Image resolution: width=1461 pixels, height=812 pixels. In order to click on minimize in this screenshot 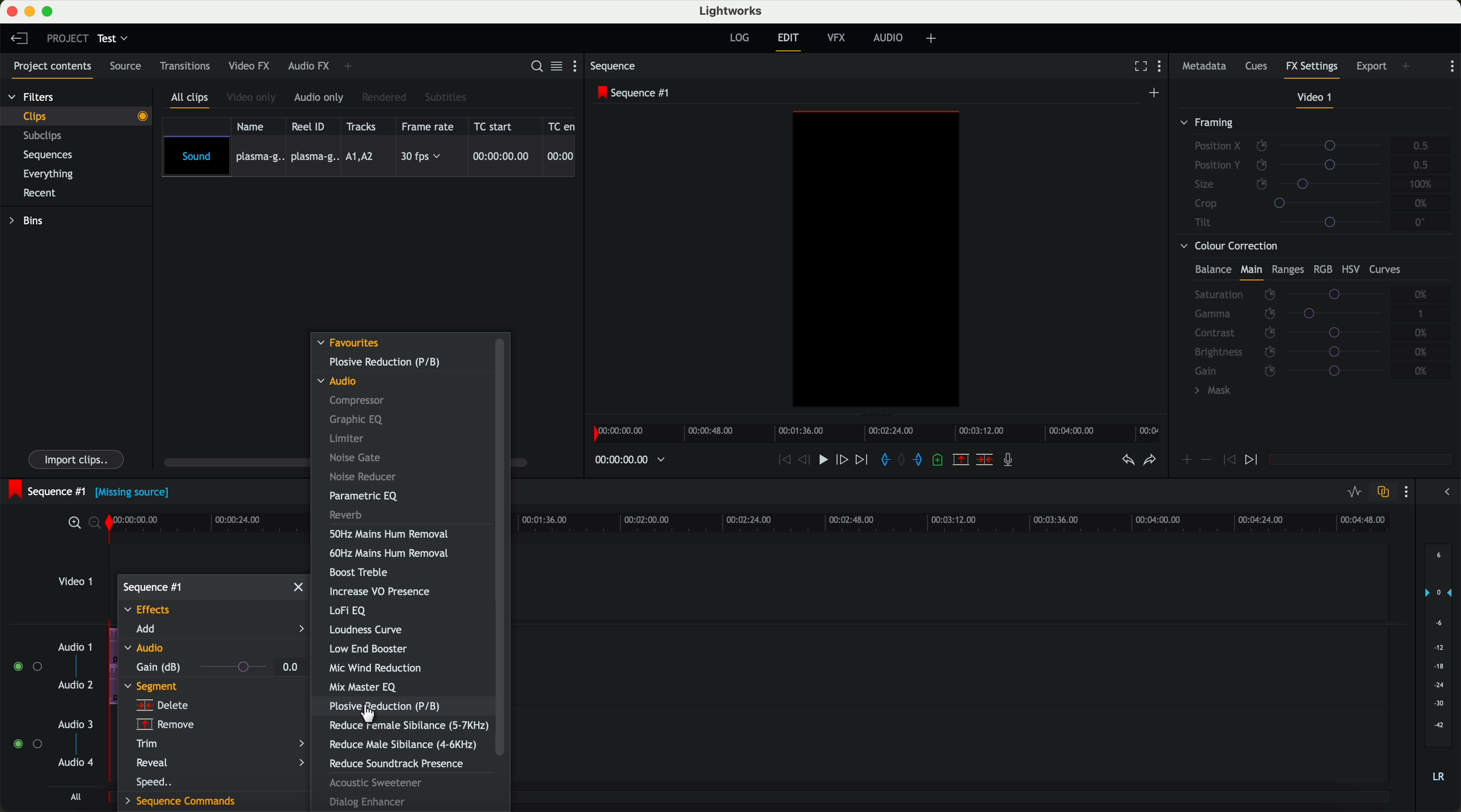, I will do `click(29, 12)`.